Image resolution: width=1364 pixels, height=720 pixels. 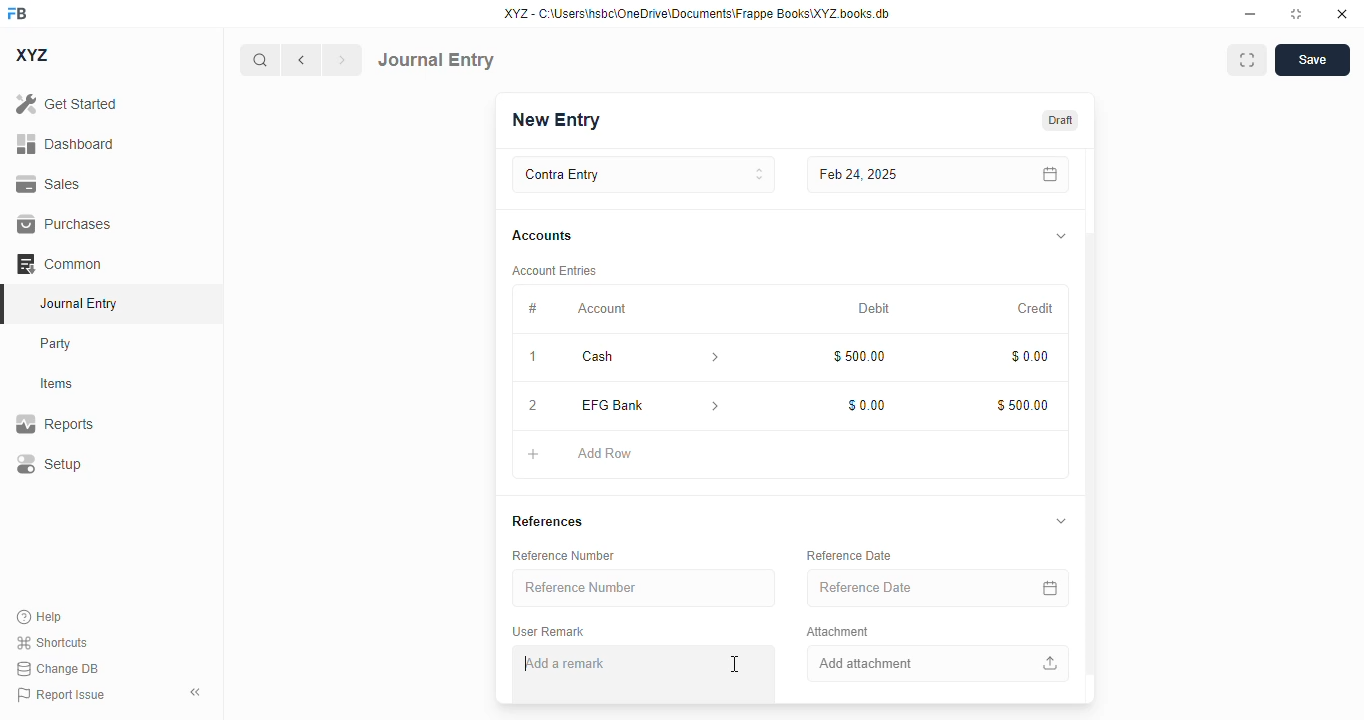 What do you see at coordinates (865, 406) in the screenshot?
I see `$0.00` at bounding box center [865, 406].